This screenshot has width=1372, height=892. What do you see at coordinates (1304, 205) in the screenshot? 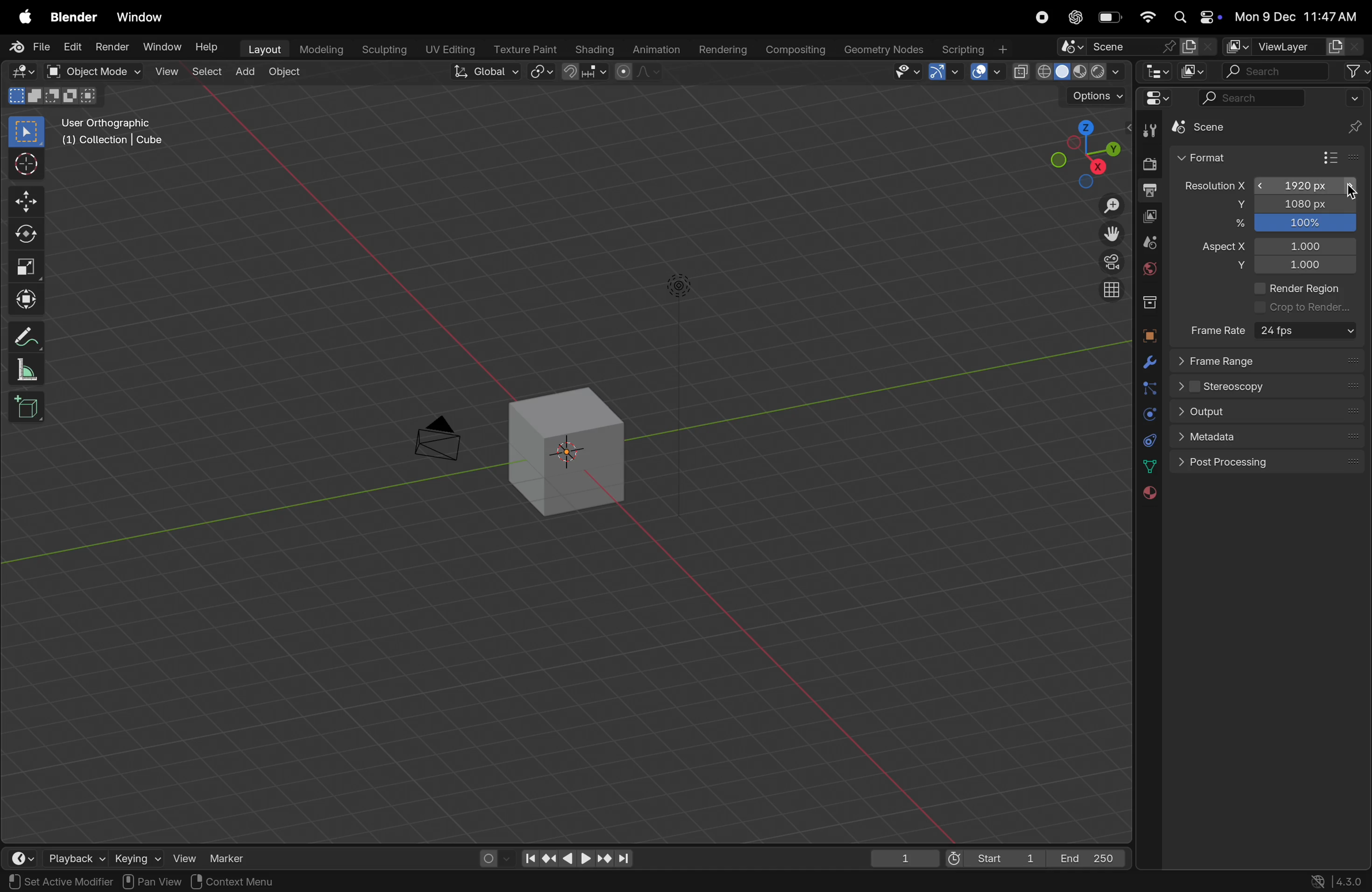
I see `1080` at bounding box center [1304, 205].